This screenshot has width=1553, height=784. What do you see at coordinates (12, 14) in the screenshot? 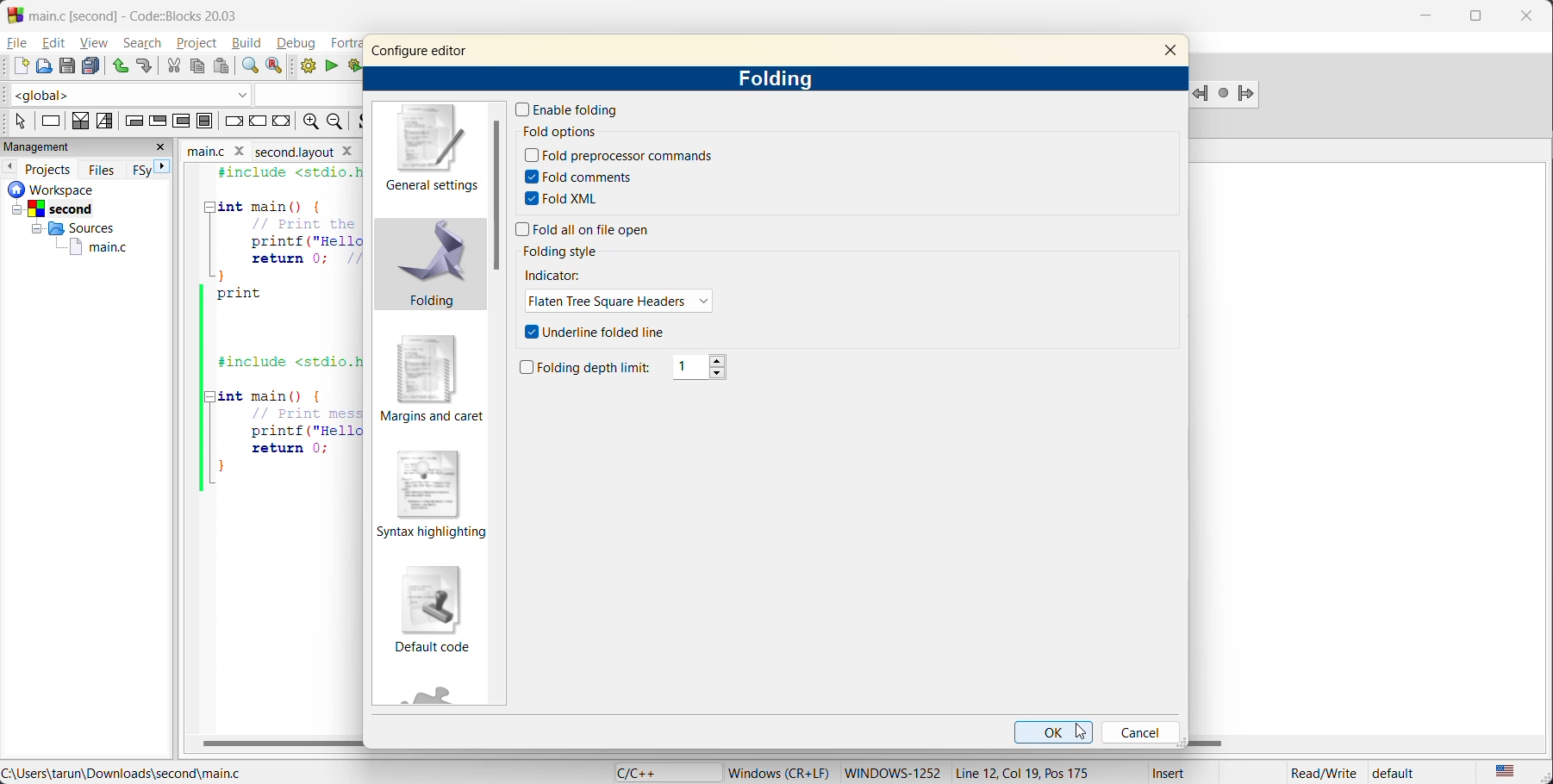
I see `Codeblock logo` at bounding box center [12, 14].